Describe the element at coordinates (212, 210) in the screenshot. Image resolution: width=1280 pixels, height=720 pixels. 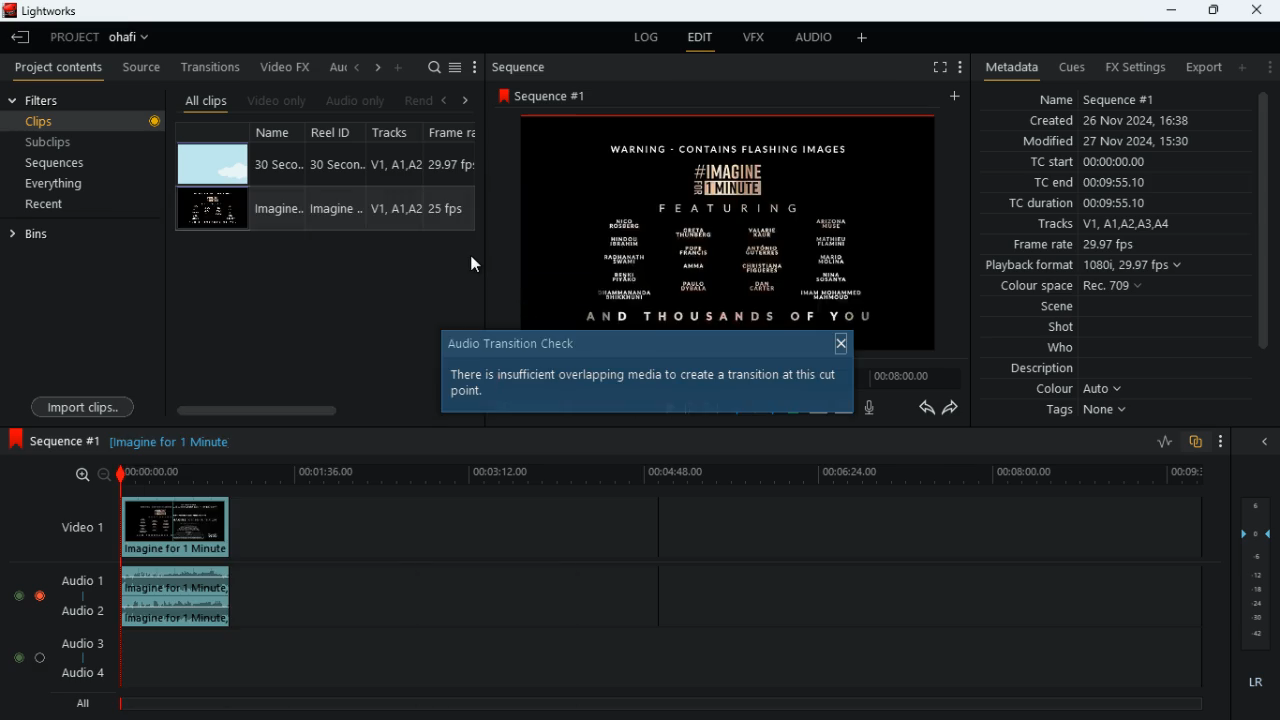
I see `image` at that location.